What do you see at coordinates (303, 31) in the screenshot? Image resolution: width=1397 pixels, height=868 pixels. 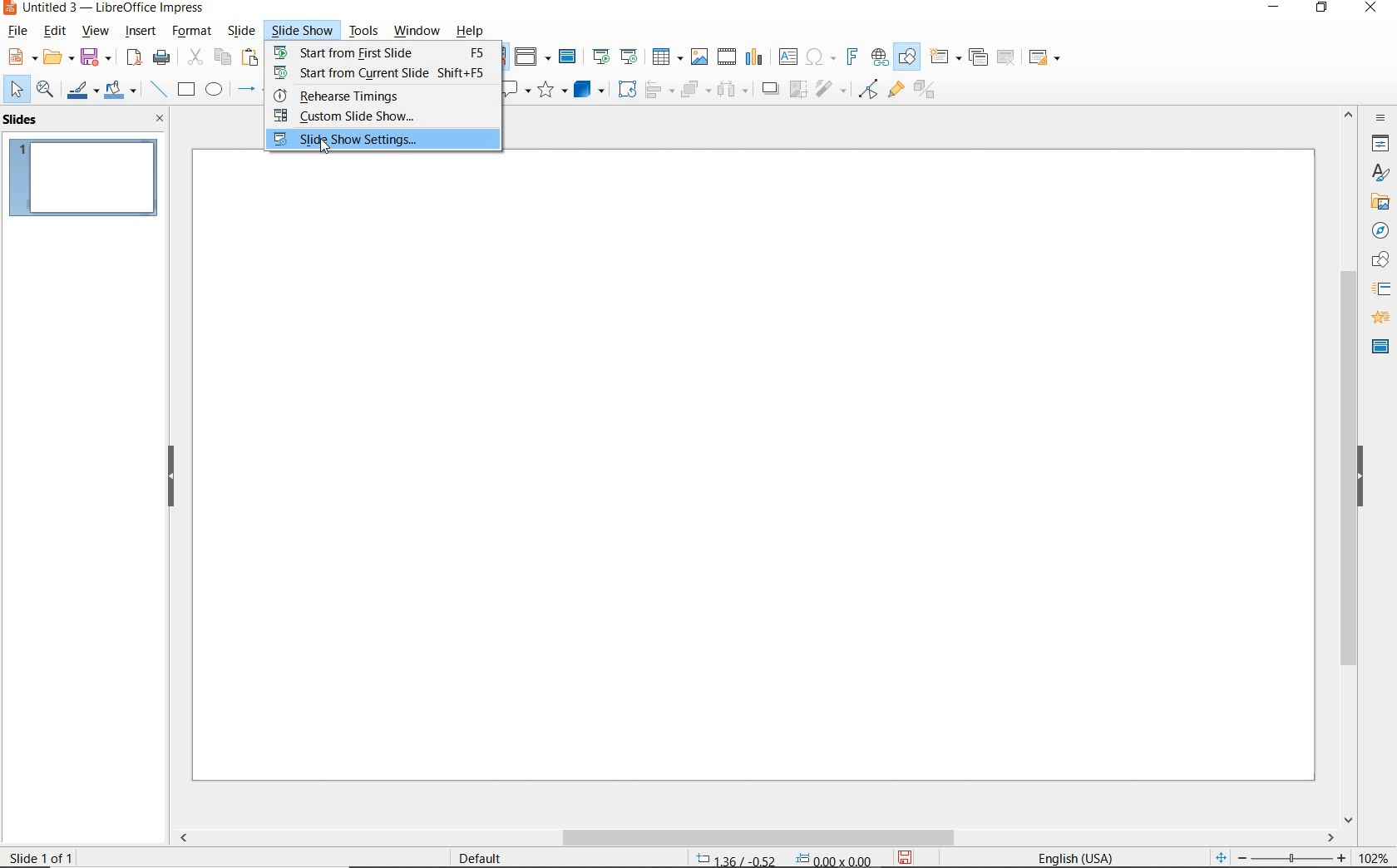 I see `SLIDESHOW` at bounding box center [303, 31].